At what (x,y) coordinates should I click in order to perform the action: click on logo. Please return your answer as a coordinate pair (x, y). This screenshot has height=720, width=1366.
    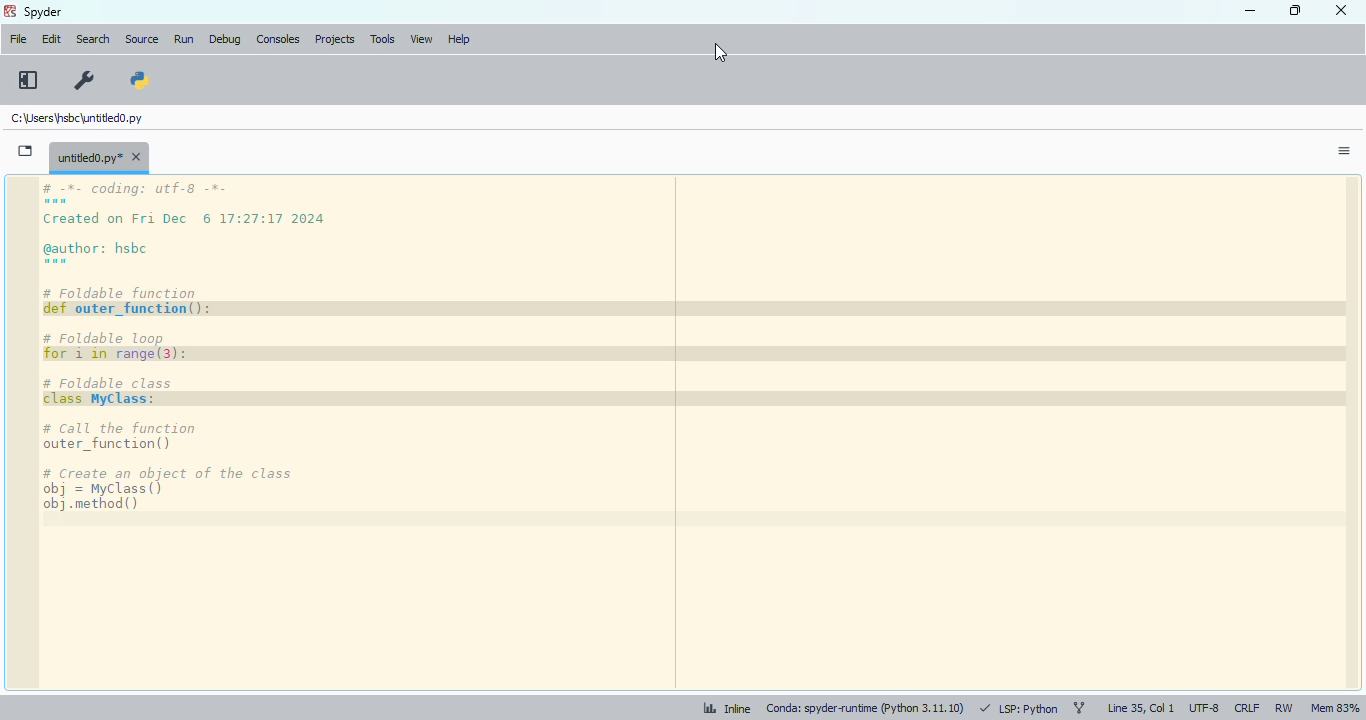
    Looking at the image, I should click on (10, 11).